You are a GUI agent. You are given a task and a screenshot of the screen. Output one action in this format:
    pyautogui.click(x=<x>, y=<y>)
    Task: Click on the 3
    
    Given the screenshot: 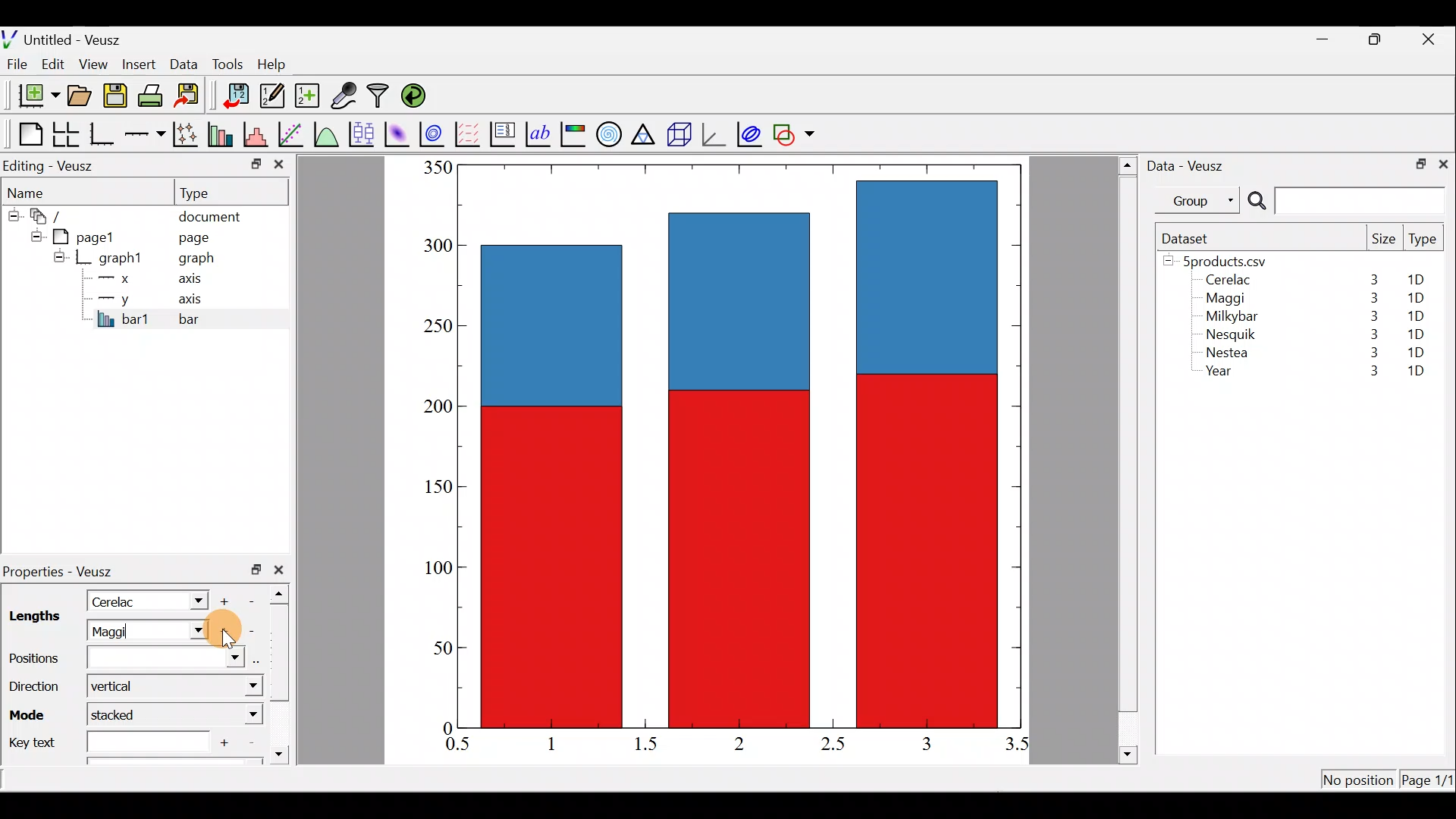 What is the action you would take?
    pyautogui.click(x=1370, y=355)
    